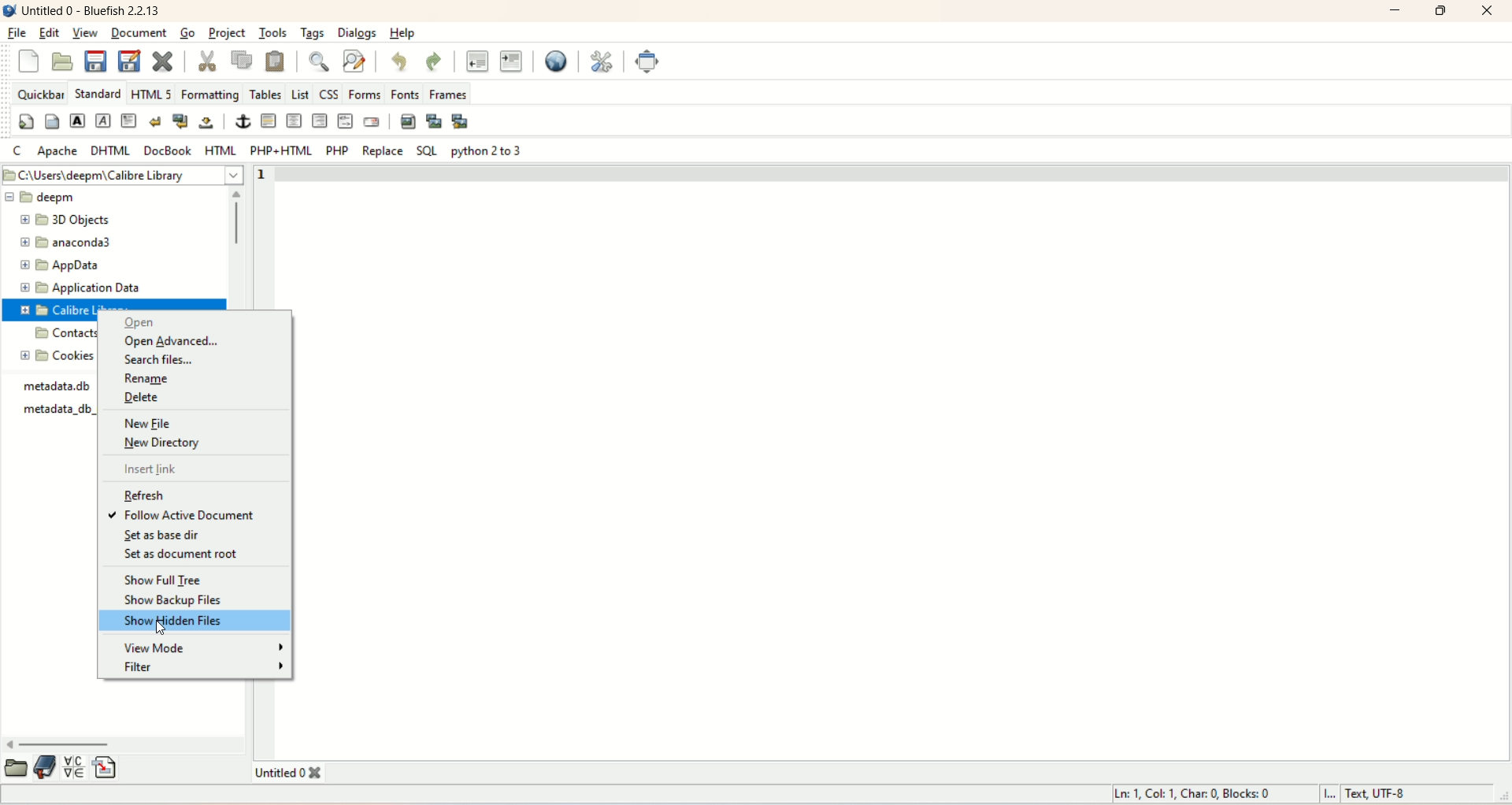 The image size is (1512, 805). I want to click on preview in browser, so click(553, 60).